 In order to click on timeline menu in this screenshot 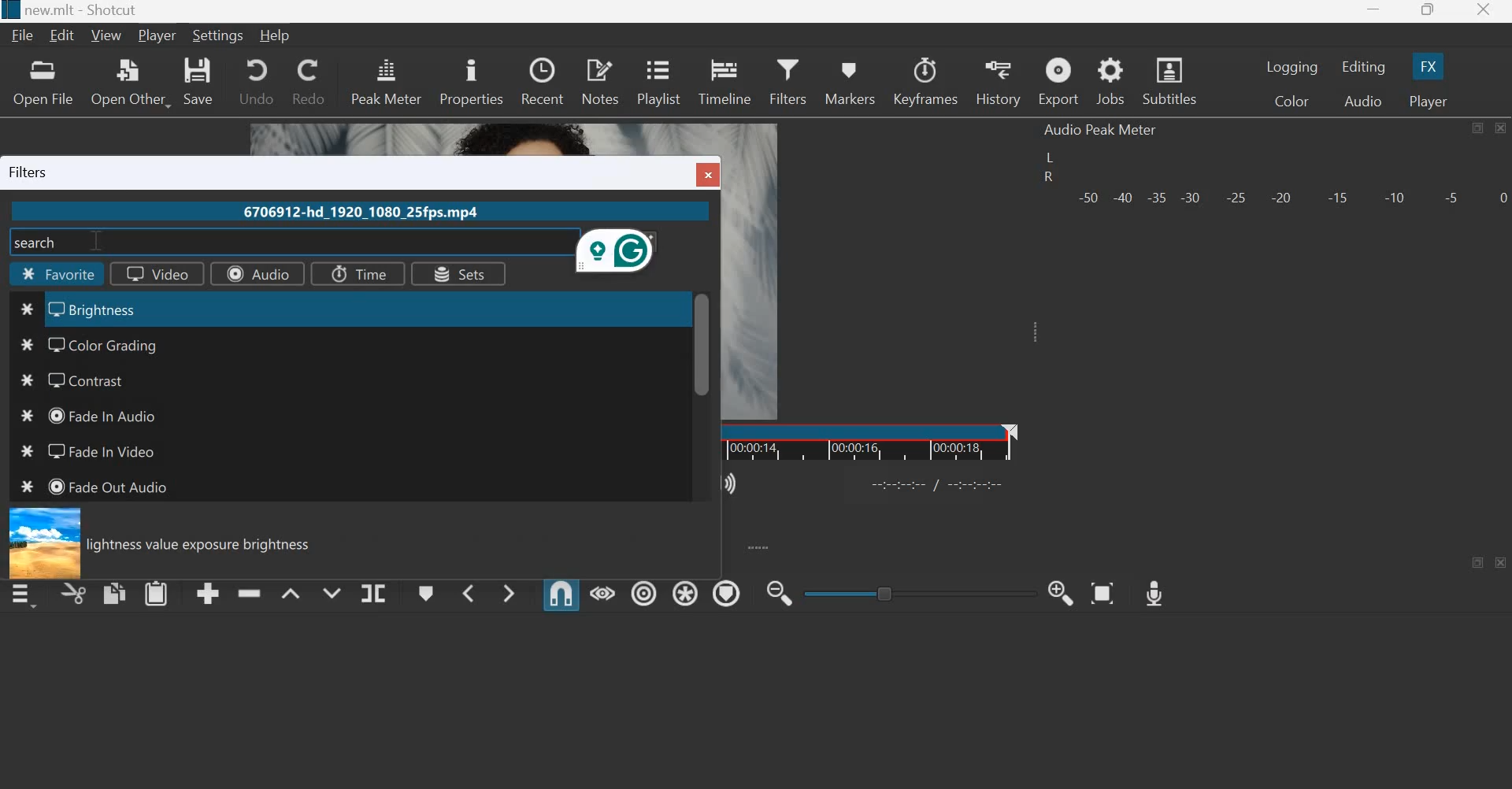, I will do `click(27, 595)`.